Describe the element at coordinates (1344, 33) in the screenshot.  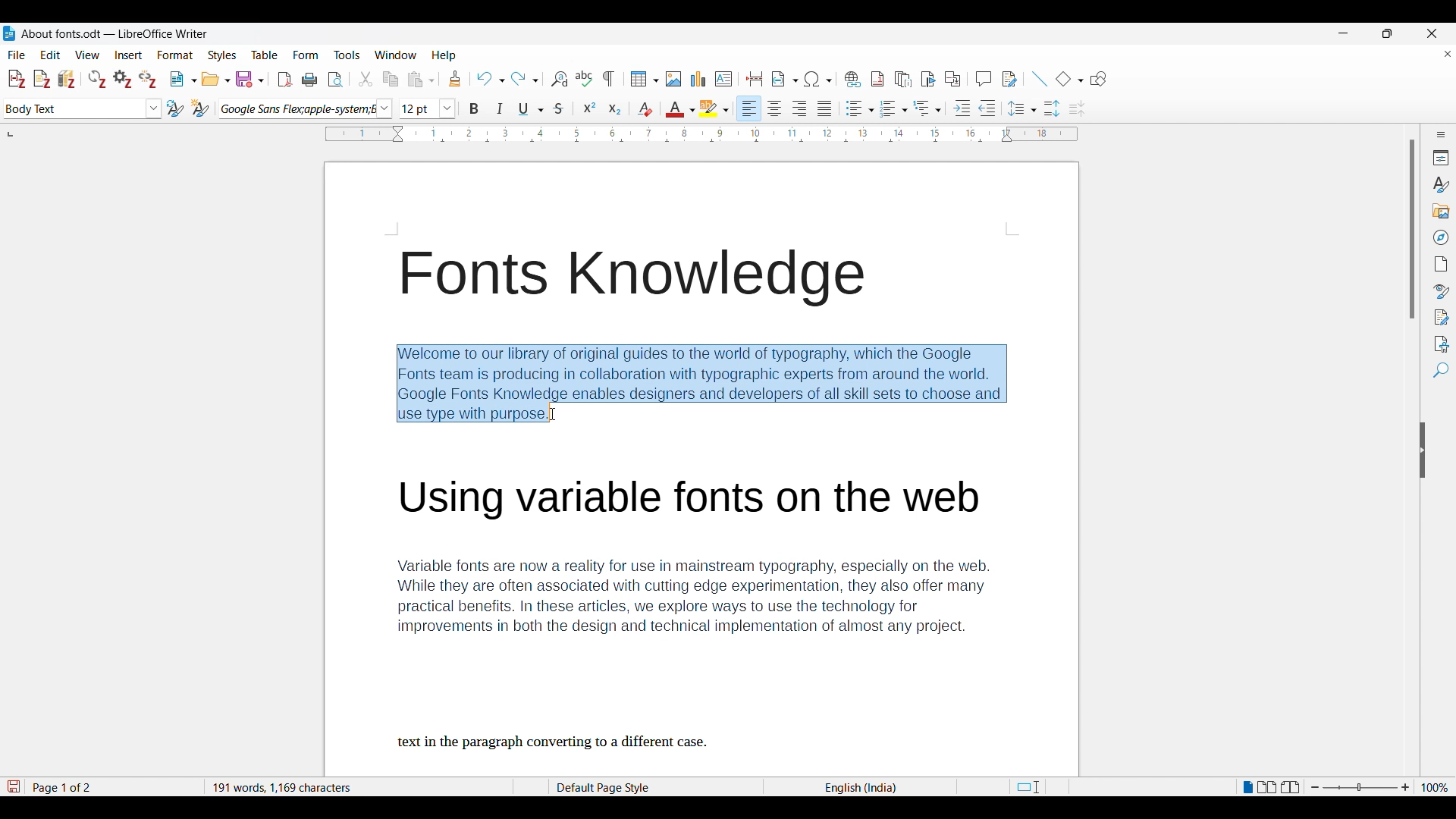
I see `Minimize` at that location.